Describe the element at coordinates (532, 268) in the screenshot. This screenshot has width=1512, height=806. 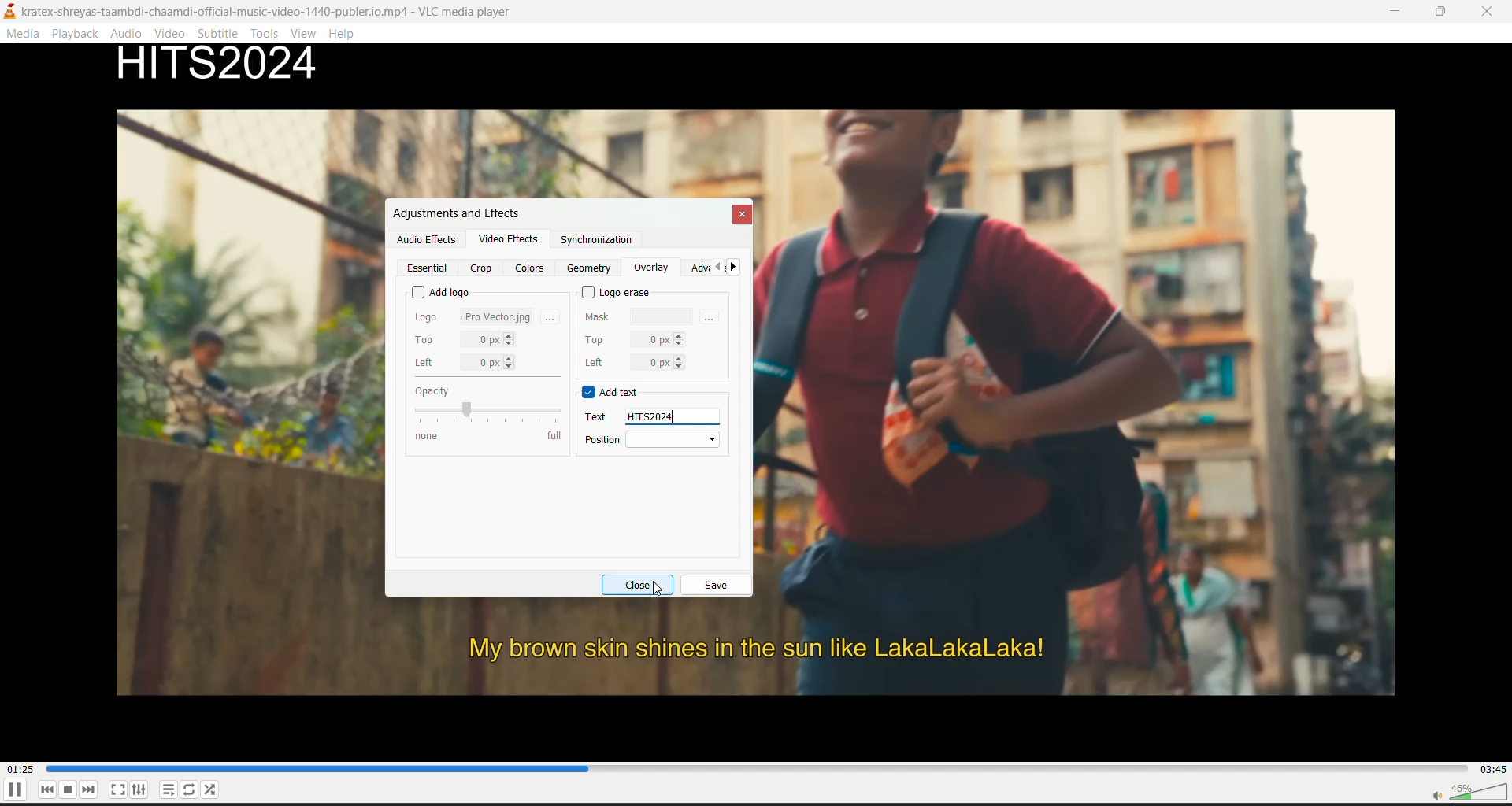
I see `colors` at that location.